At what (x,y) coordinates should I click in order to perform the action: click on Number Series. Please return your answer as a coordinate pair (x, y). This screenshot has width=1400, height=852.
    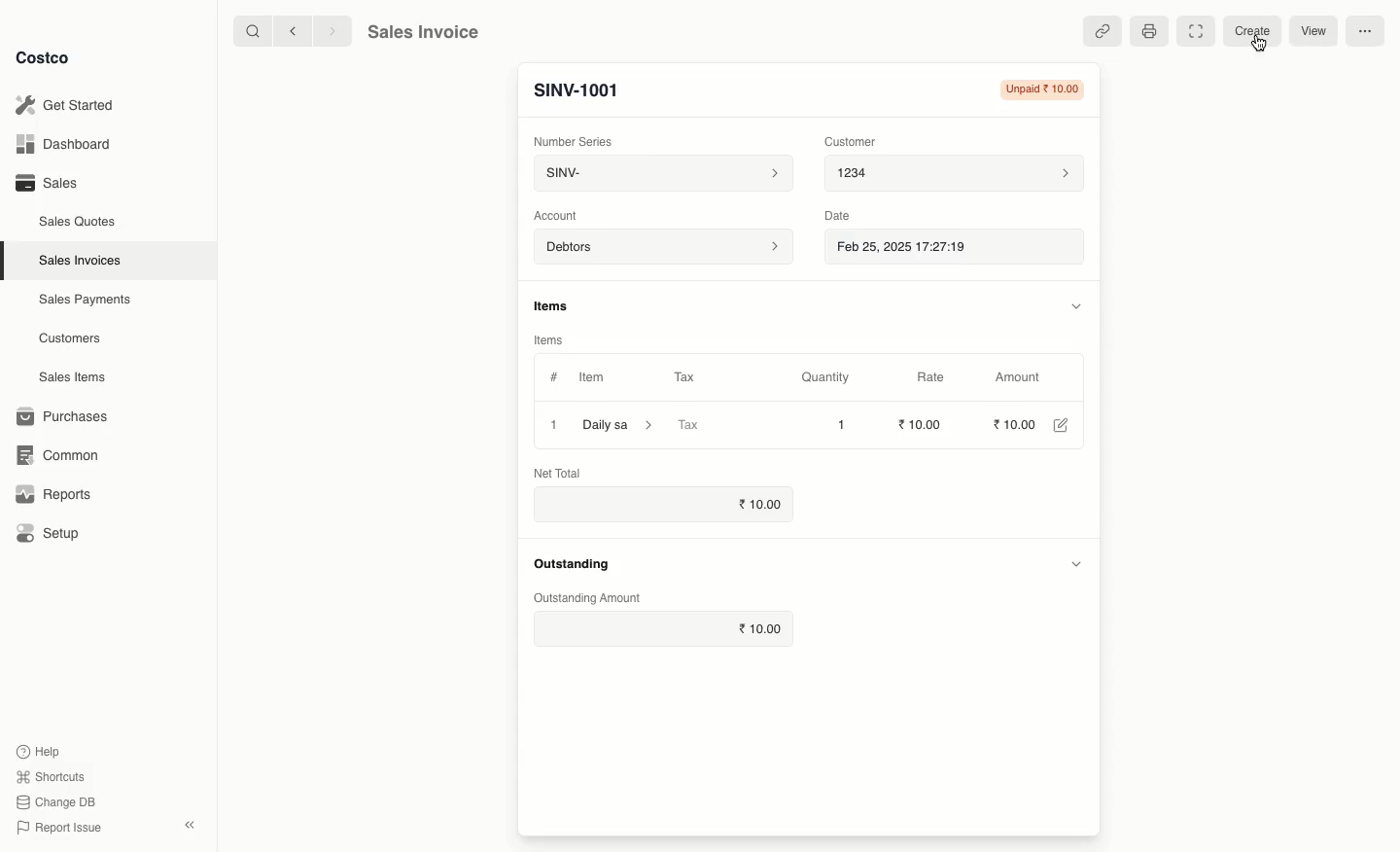
    Looking at the image, I should click on (574, 141).